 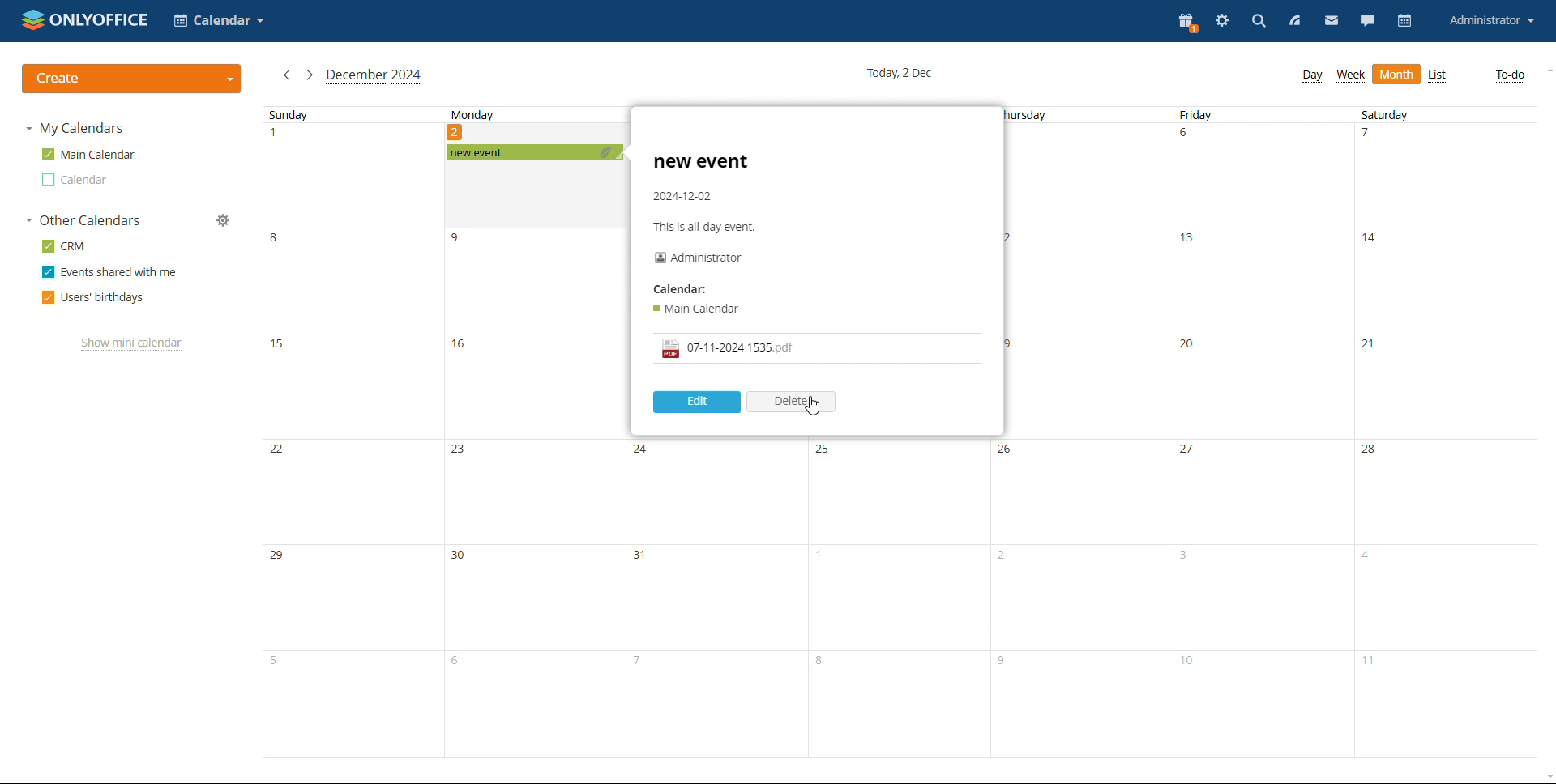 I want to click on crm, so click(x=64, y=245).